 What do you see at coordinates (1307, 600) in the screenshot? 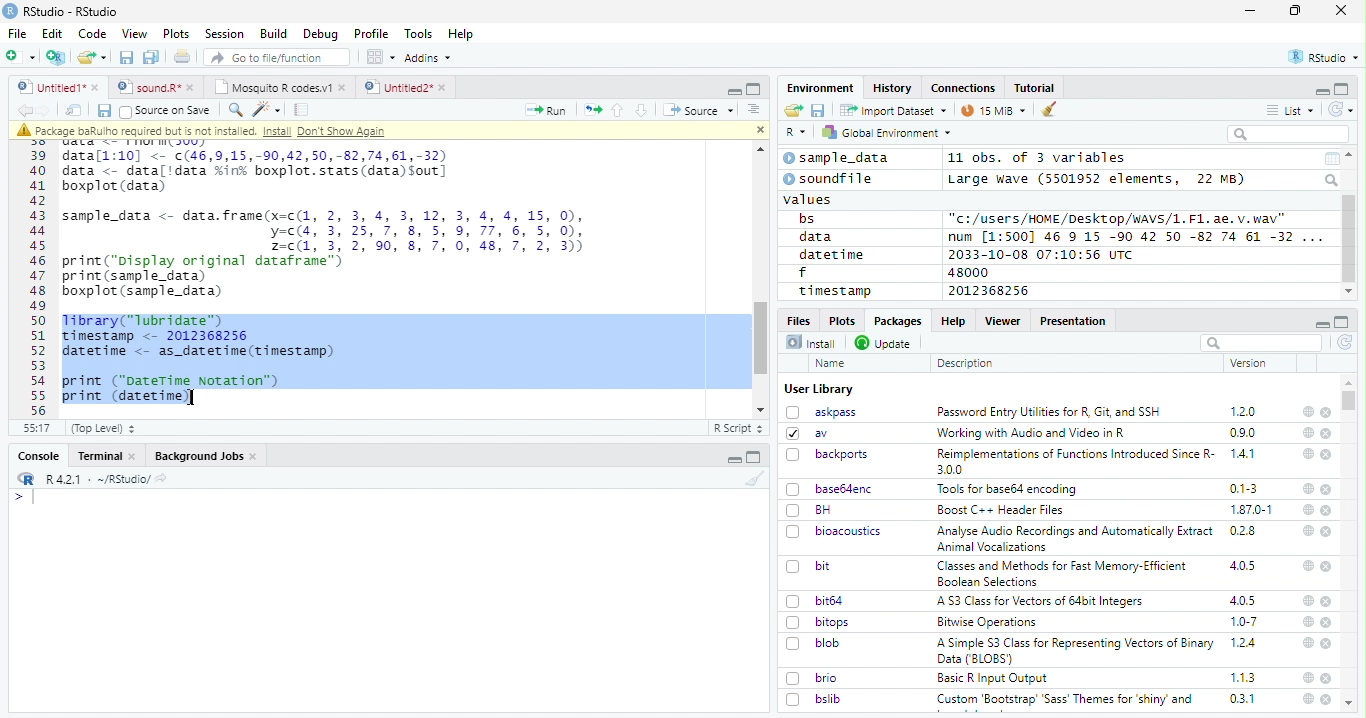
I see `help` at bounding box center [1307, 600].